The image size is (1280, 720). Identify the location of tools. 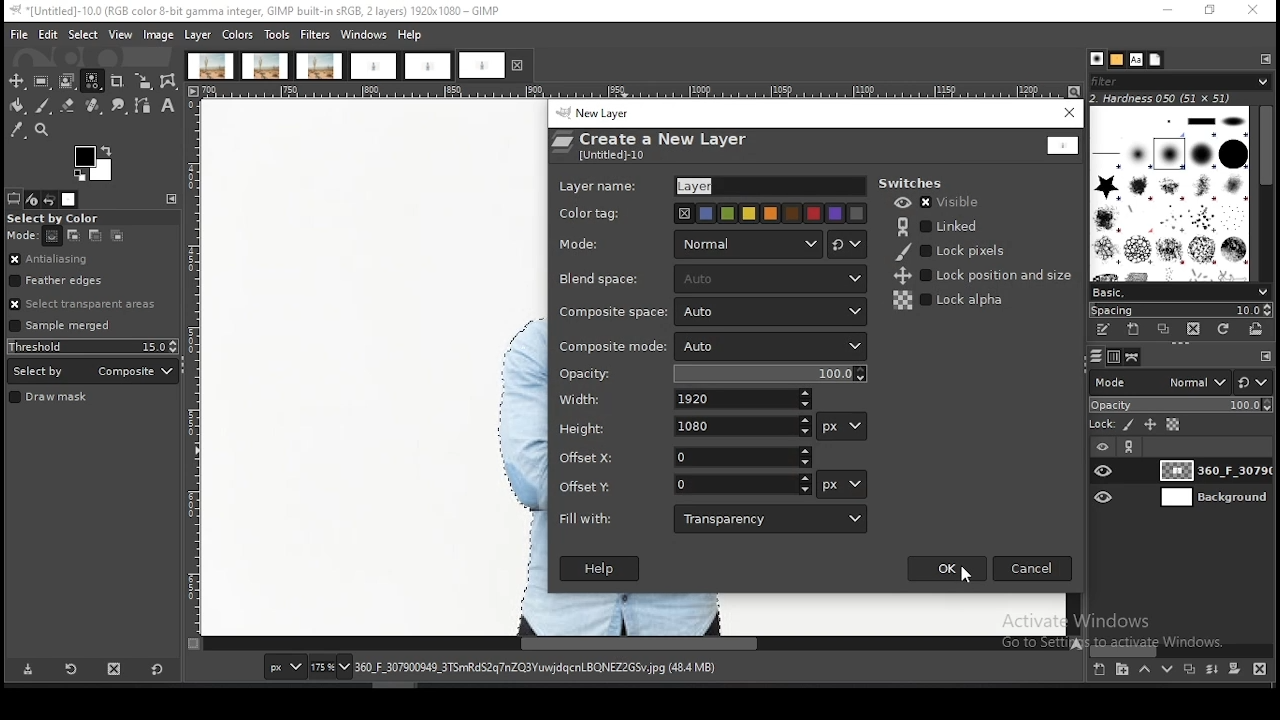
(277, 36).